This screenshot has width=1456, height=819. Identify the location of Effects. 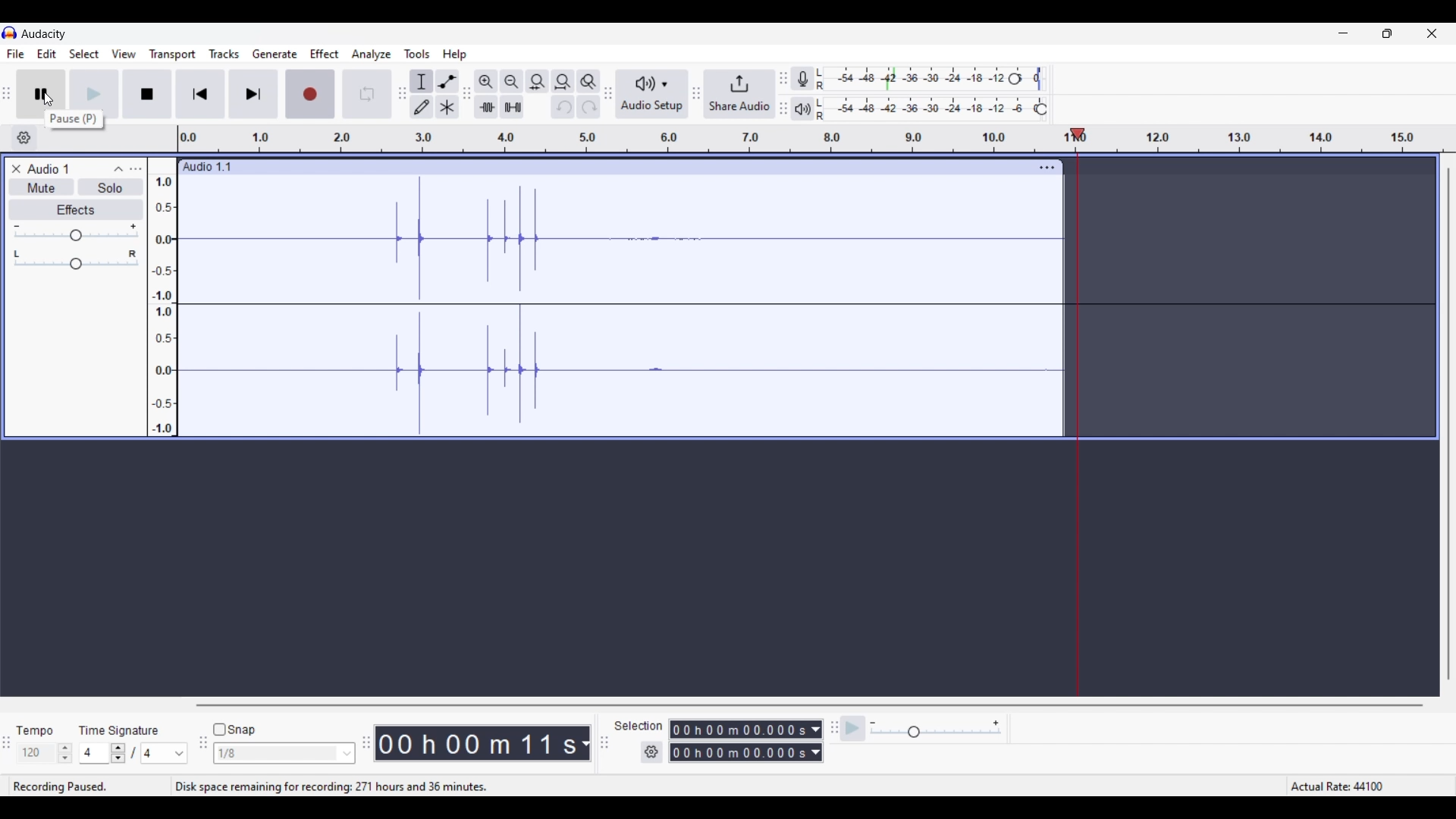
(74, 209).